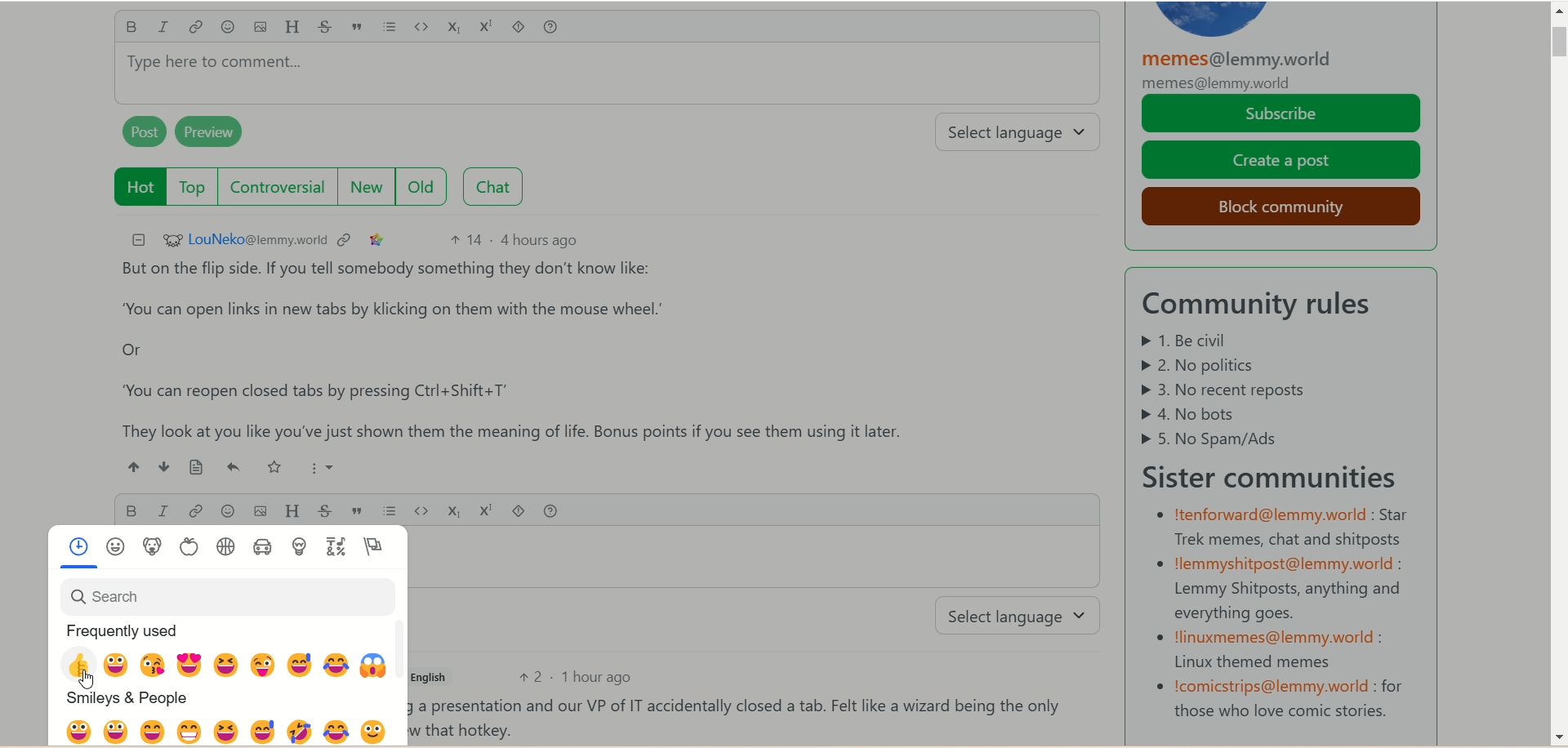  What do you see at coordinates (393, 28) in the screenshot?
I see `list` at bounding box center [393, 28].